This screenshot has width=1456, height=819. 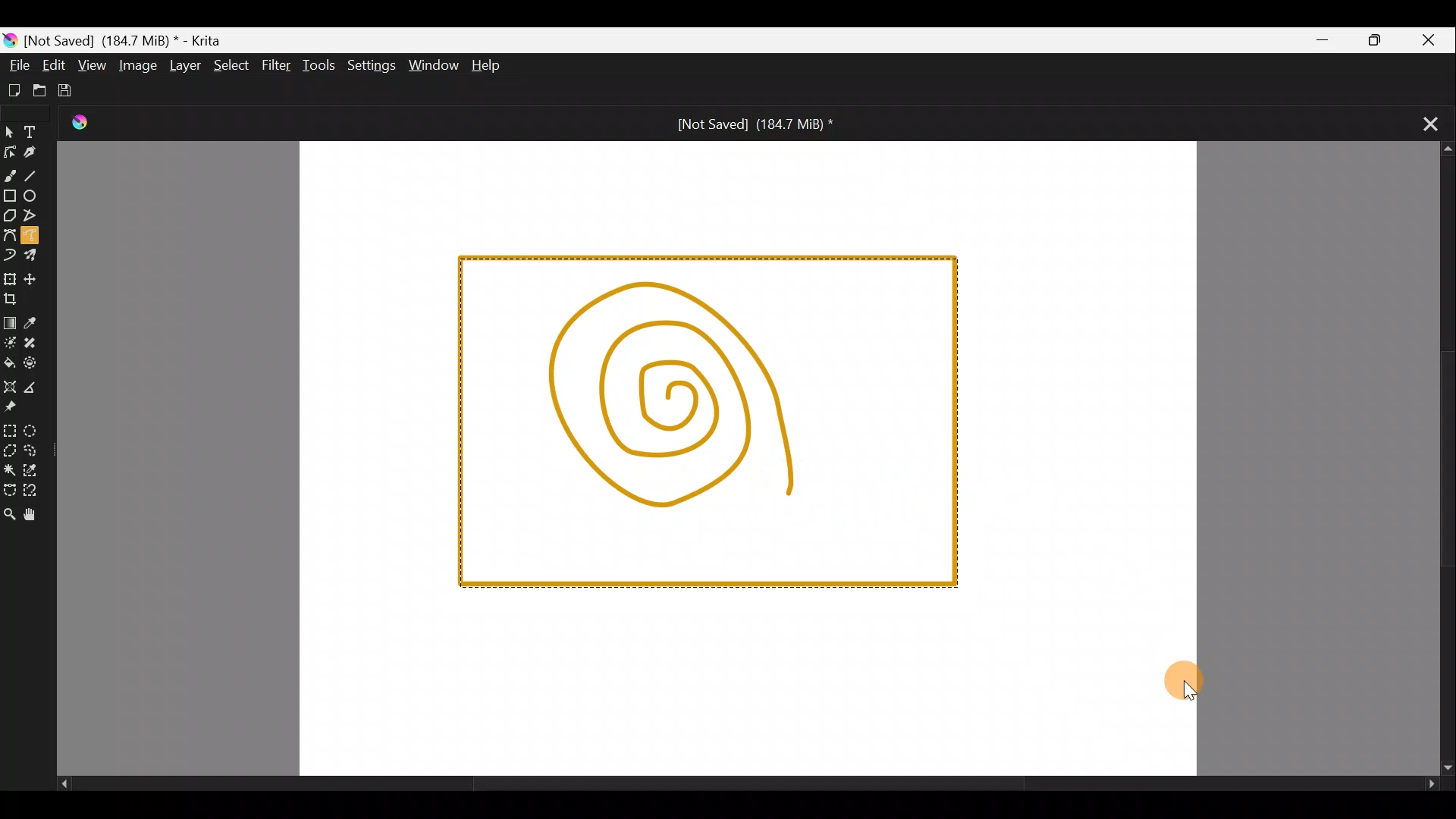 I want to click on Polyline tool, so click(x=36, y=217).